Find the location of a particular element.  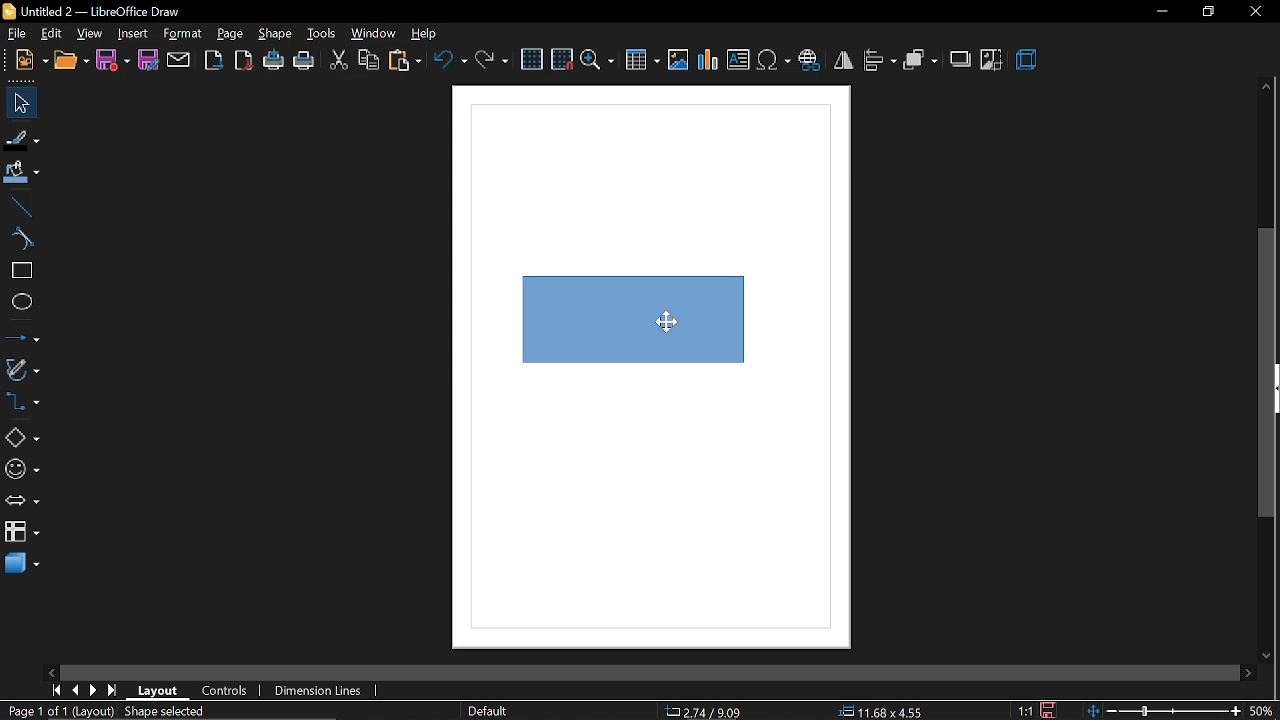

go to last page is located at coordinates (112, 692).